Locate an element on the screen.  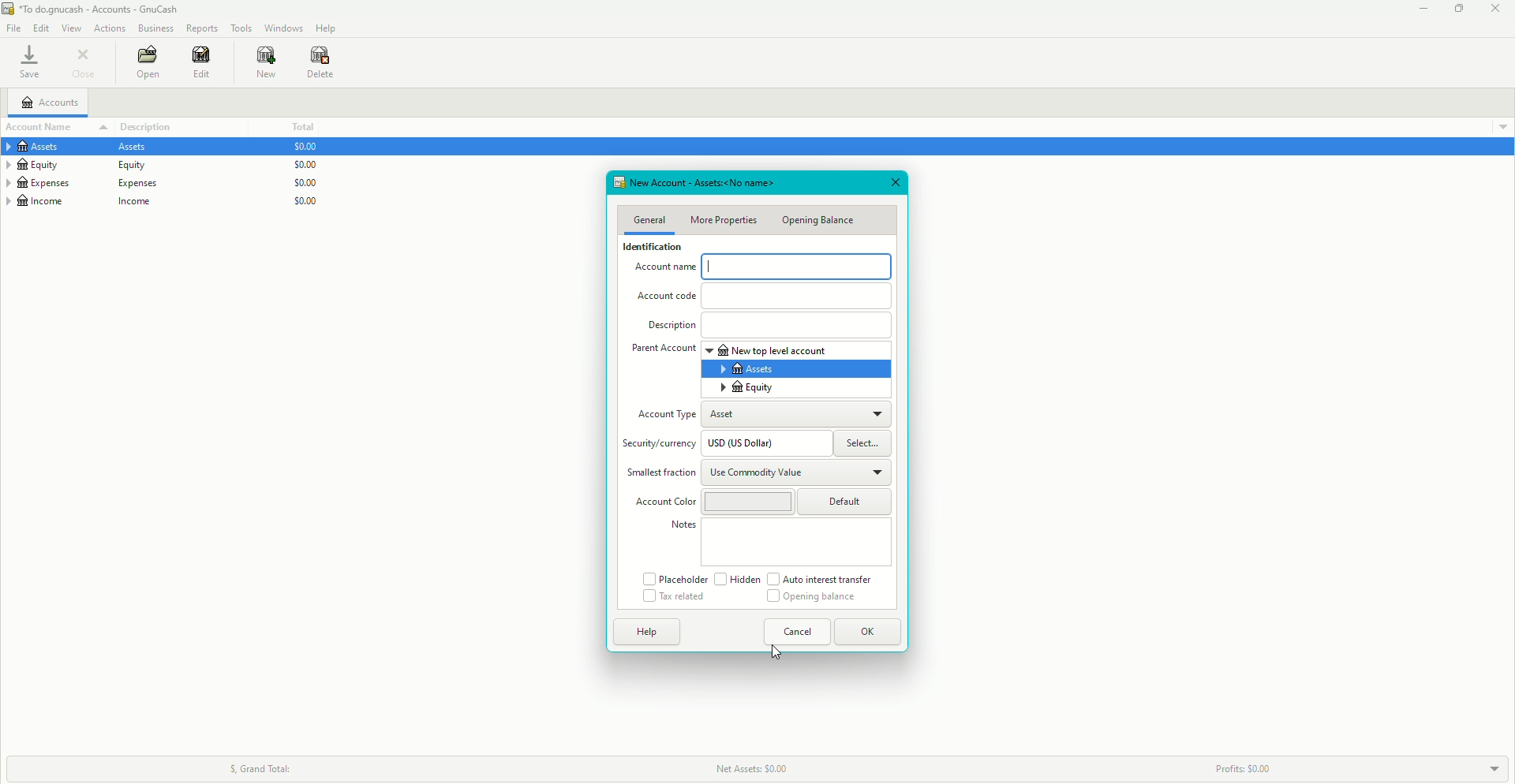
Notes is located at coordinates (683, 525).